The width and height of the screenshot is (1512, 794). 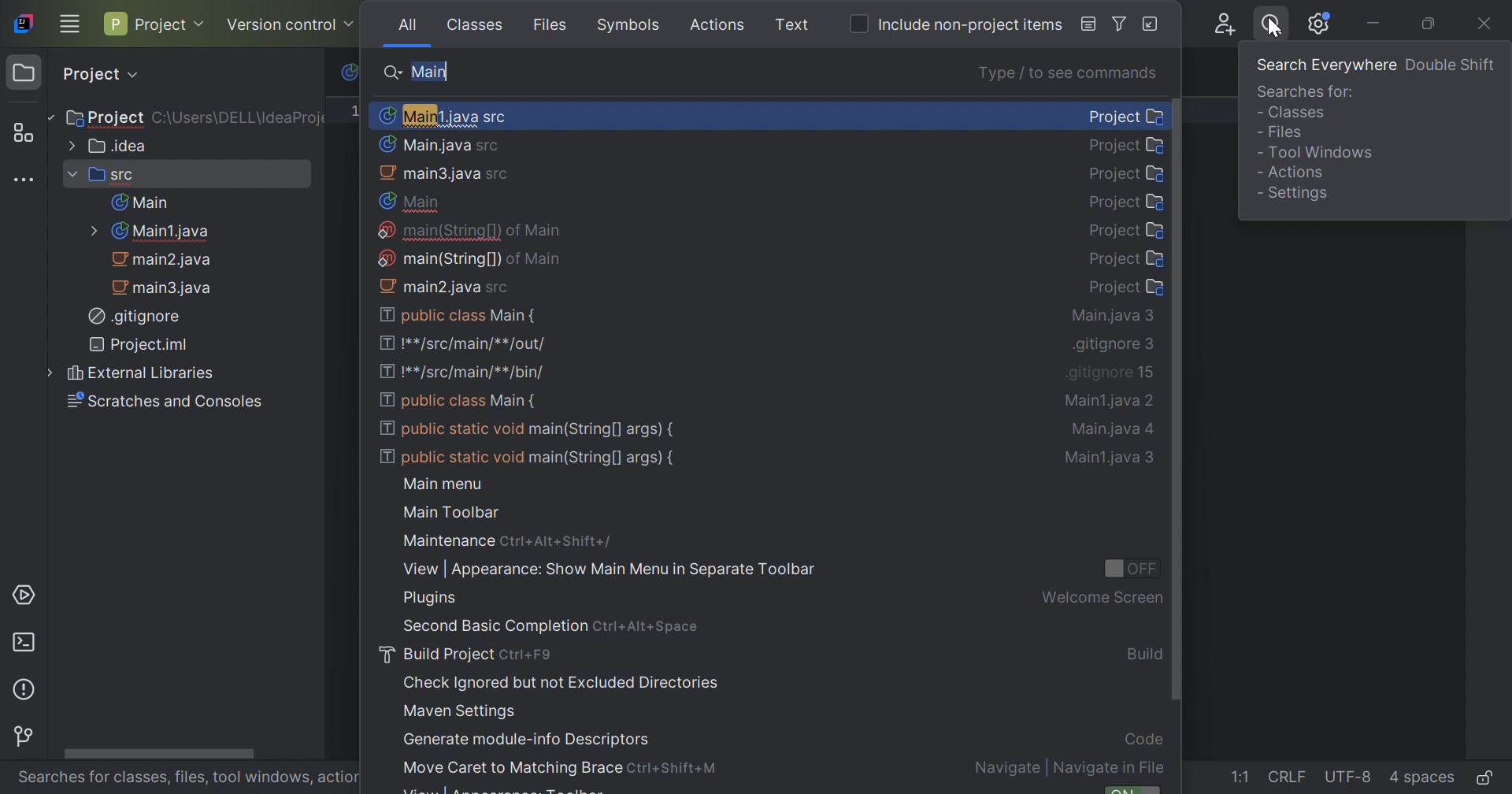 I want to click on Symbols, so click(x=631, y=25).